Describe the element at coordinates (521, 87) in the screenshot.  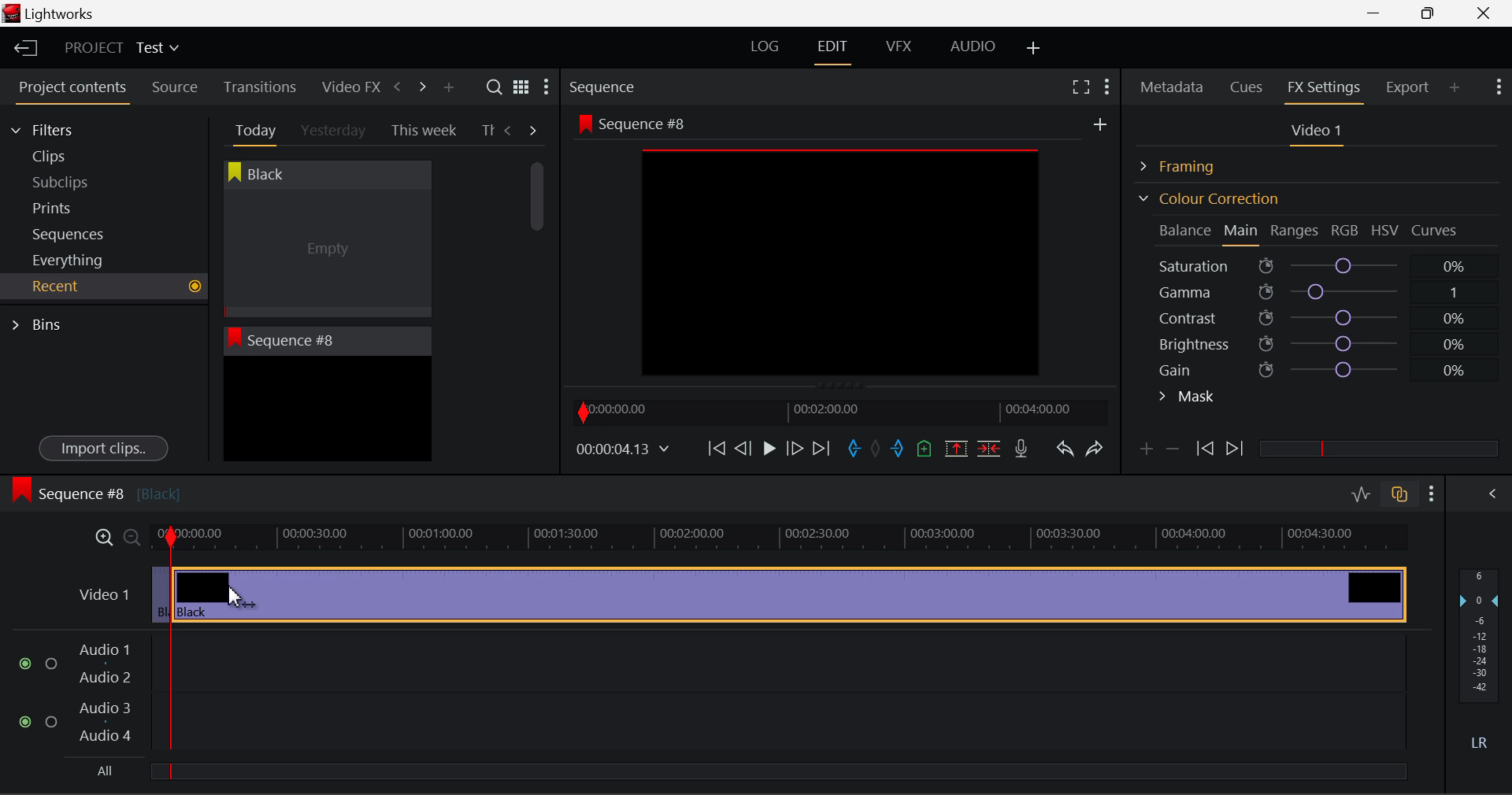
I see `Toggle list and title view` at that location.